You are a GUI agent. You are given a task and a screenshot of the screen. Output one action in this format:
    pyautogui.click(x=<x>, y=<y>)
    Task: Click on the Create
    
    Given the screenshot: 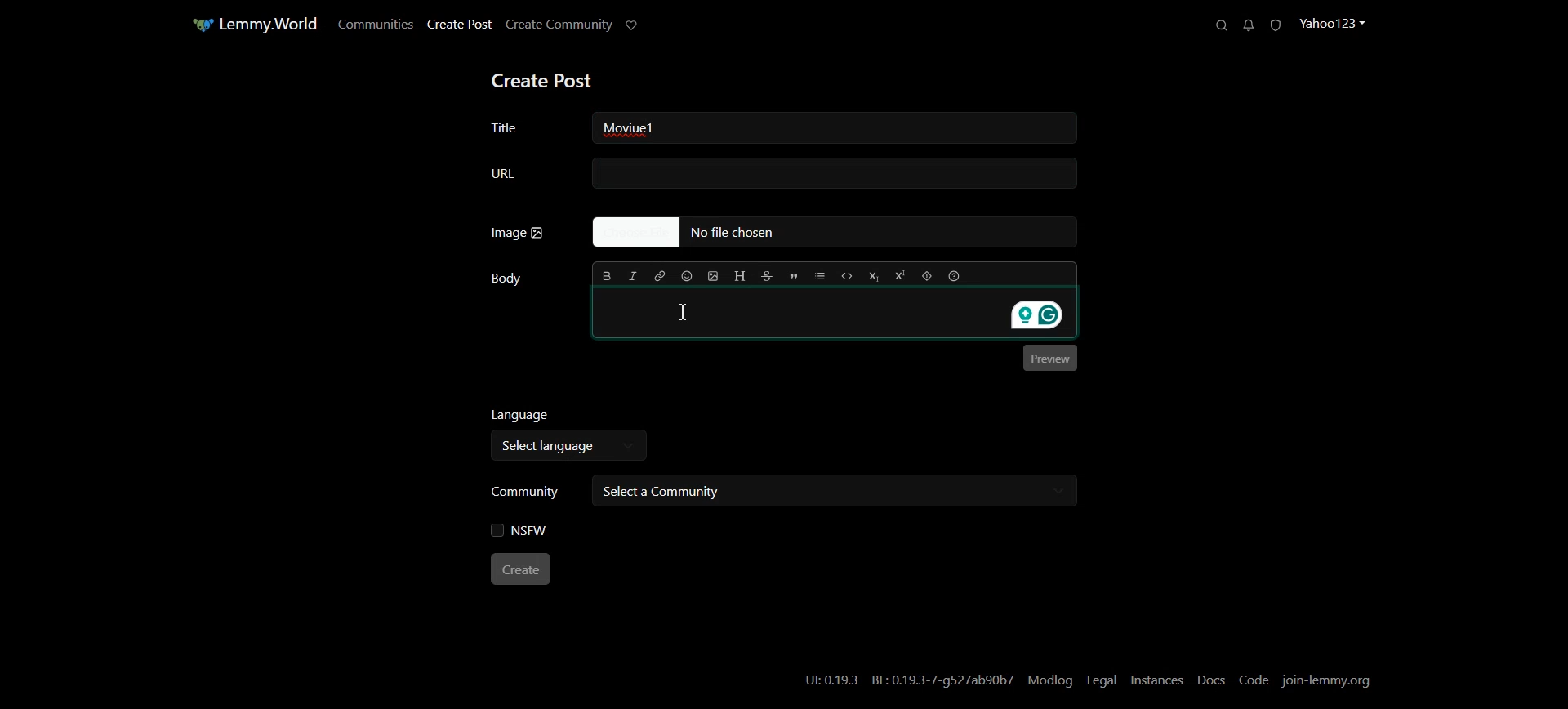 What is the action you would take?
    pyautogui.click(x=523, y=570)
    